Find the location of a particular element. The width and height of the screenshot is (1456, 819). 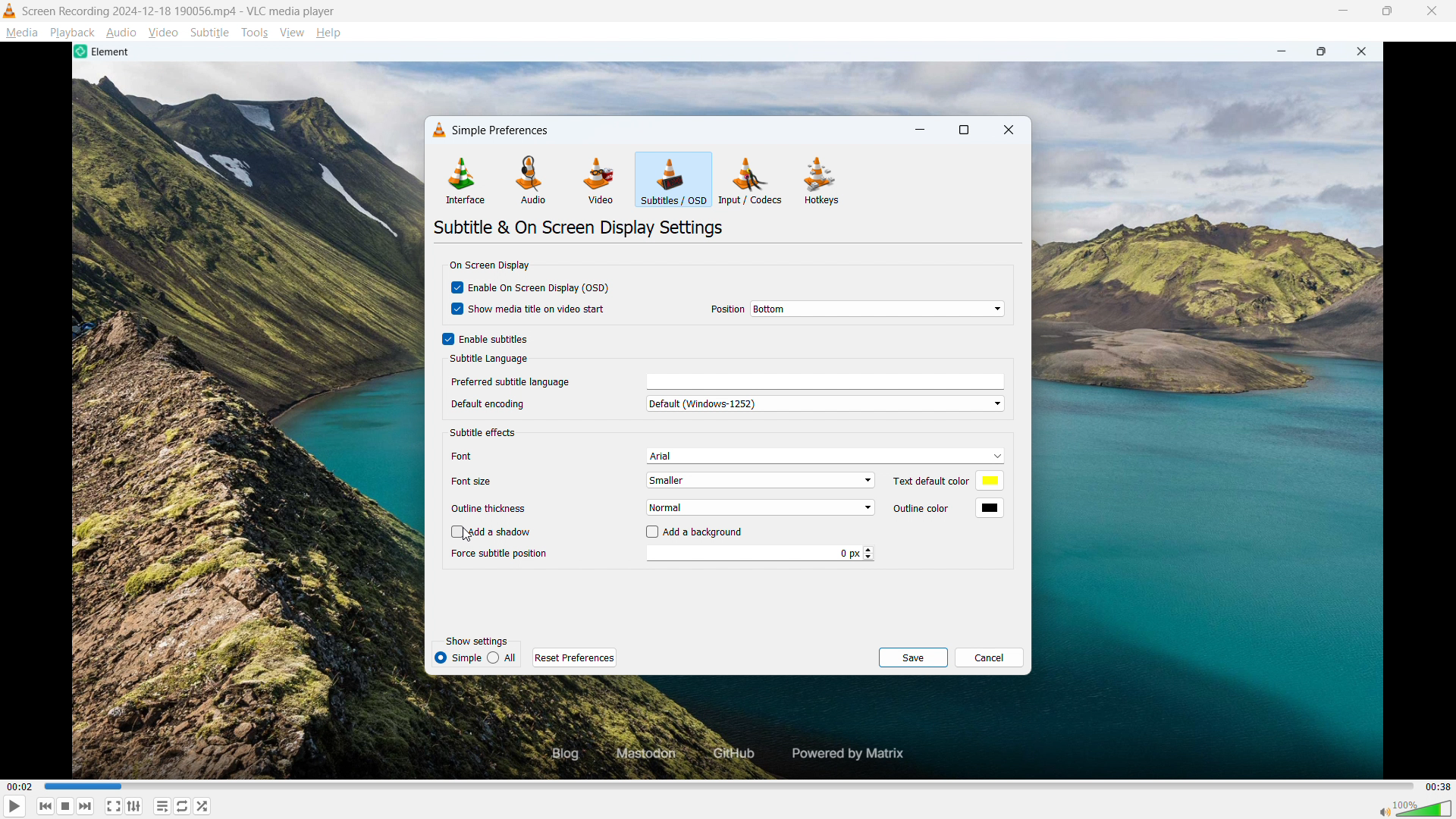

random  is located at coordinates (203, 806).